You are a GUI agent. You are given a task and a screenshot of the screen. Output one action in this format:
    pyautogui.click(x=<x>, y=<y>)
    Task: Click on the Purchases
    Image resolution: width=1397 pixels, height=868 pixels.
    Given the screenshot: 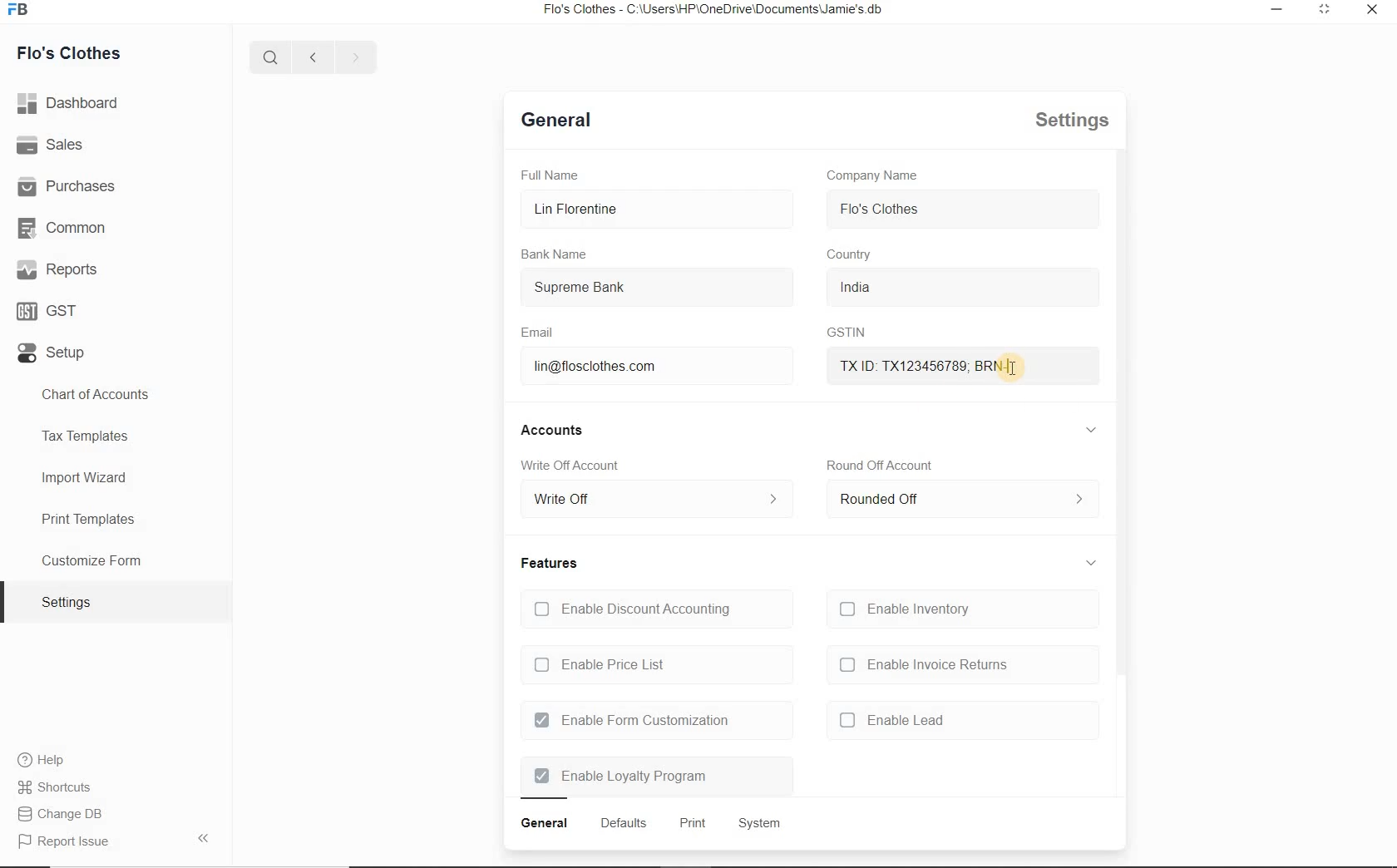 What is the action you would take?
    pyautogui.click(x=75, y=187)
    